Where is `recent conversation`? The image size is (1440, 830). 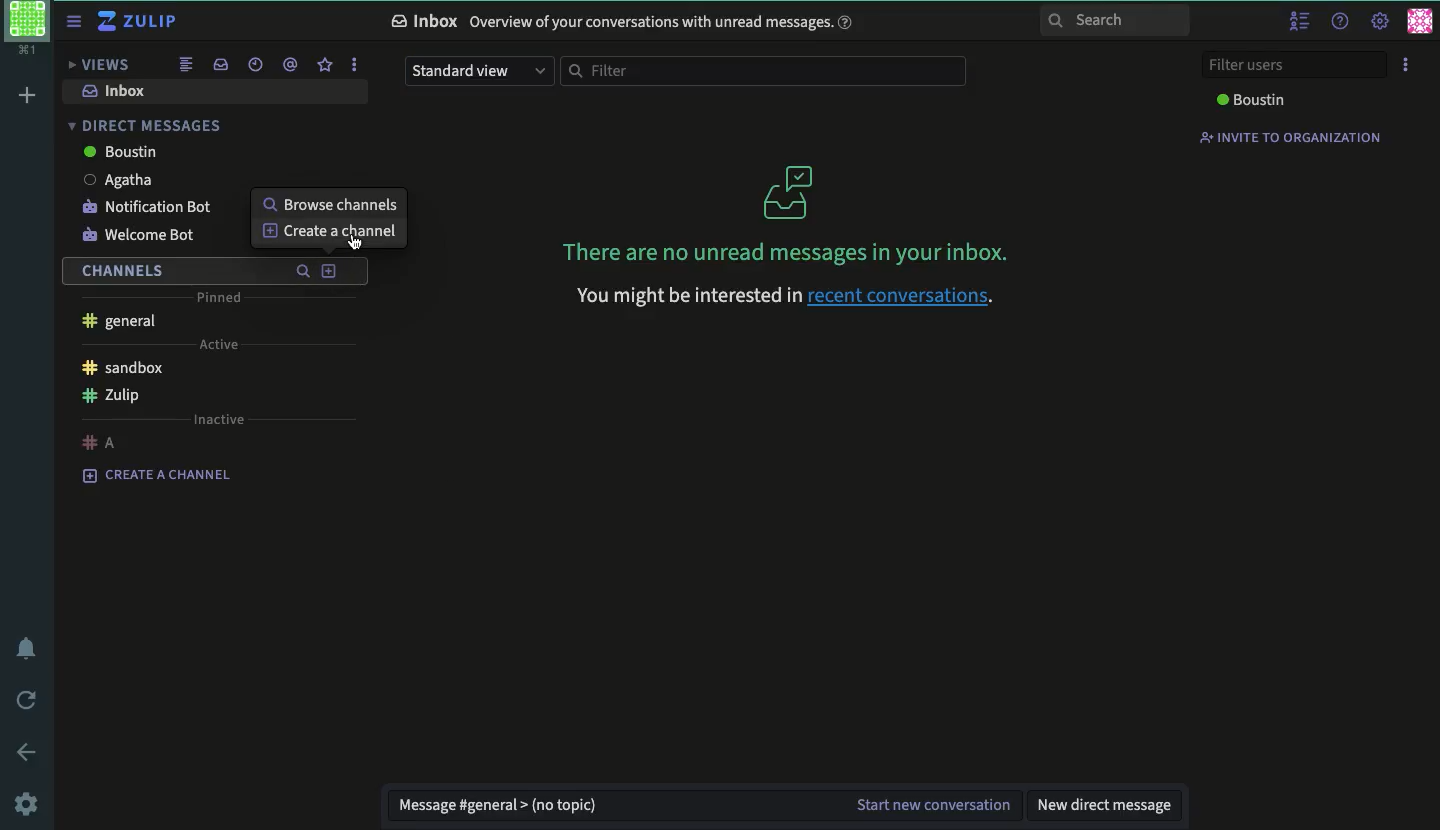 recent conversation is located at coordinates (254, 65).